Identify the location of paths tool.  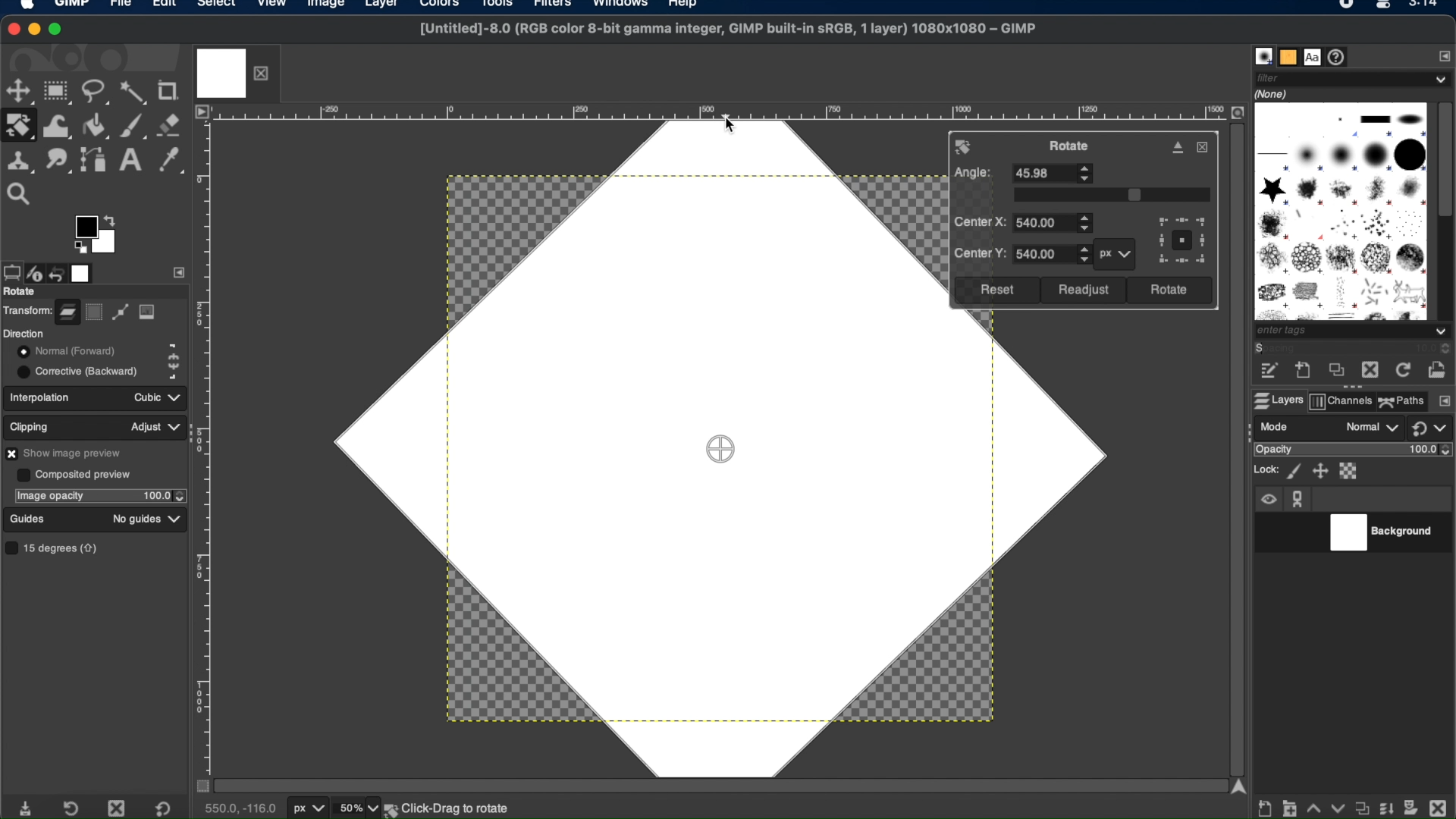
(93, 158).